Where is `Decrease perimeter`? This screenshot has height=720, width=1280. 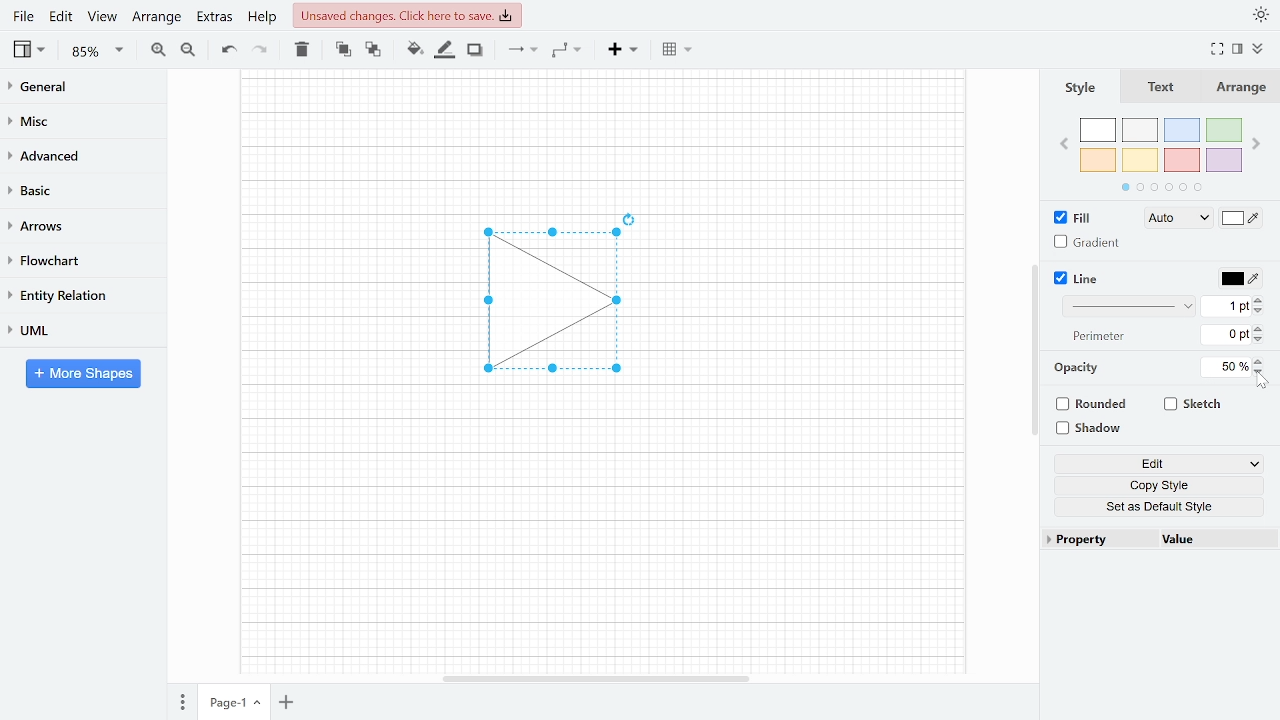 Decrease perimeter is located at coordinates (1260, 341).